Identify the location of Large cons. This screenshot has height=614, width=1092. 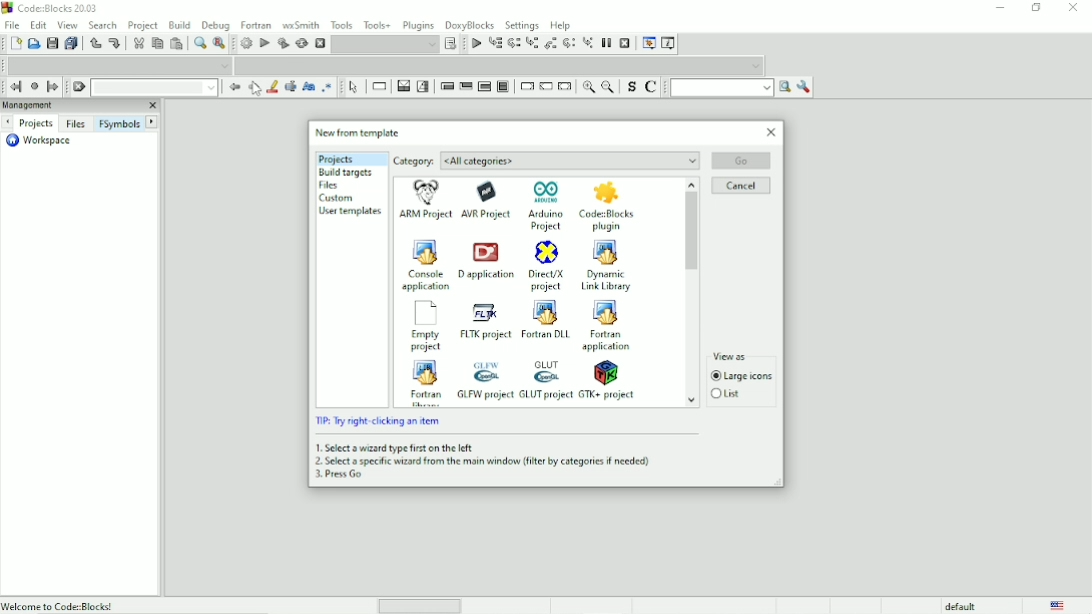
(742, 377).